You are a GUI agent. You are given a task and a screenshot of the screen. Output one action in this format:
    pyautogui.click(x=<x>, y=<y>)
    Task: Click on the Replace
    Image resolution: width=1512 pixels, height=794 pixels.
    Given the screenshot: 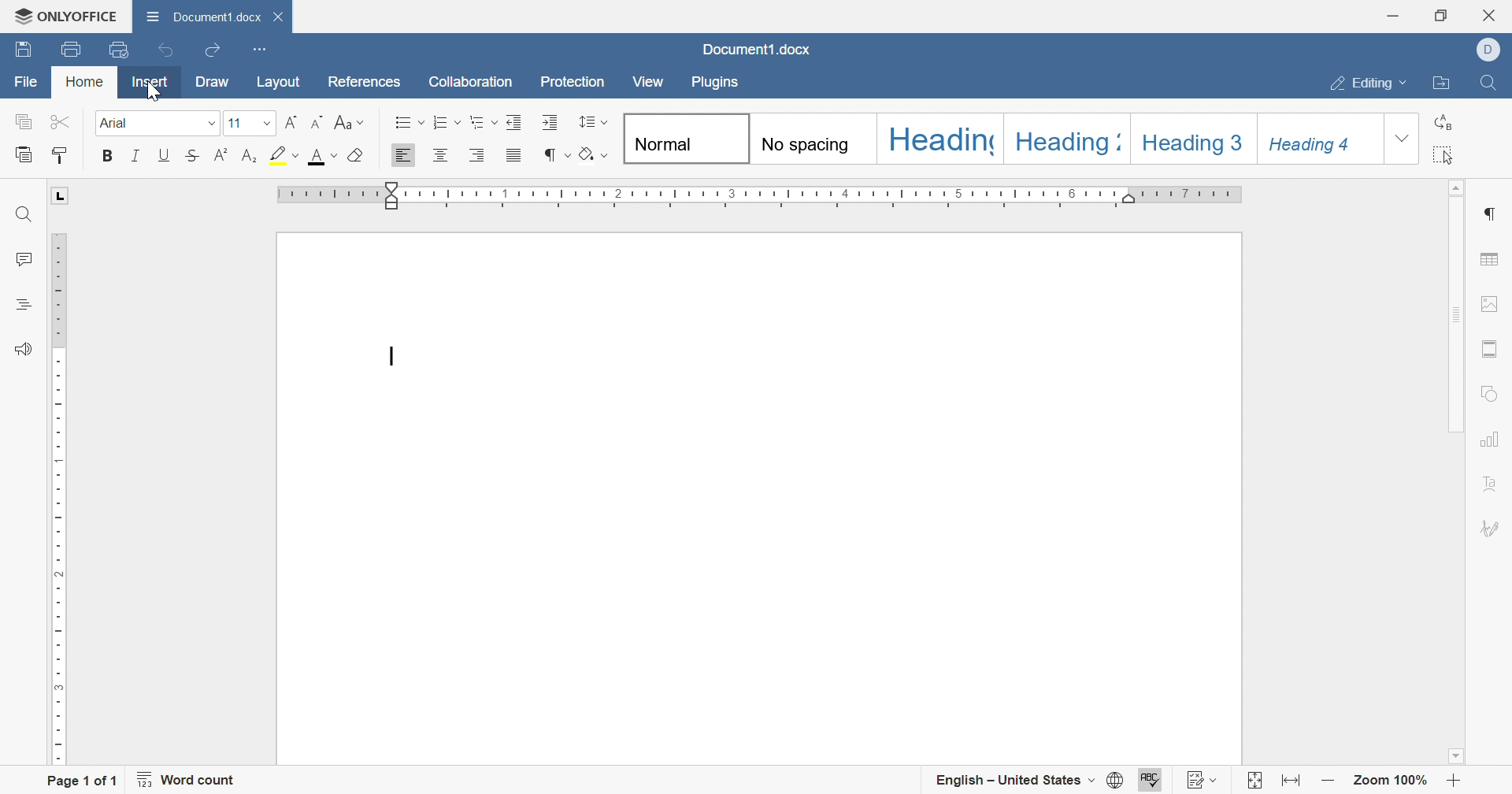 What is the action you would take?
    pyautogui.click(x=1445, y=121)
    